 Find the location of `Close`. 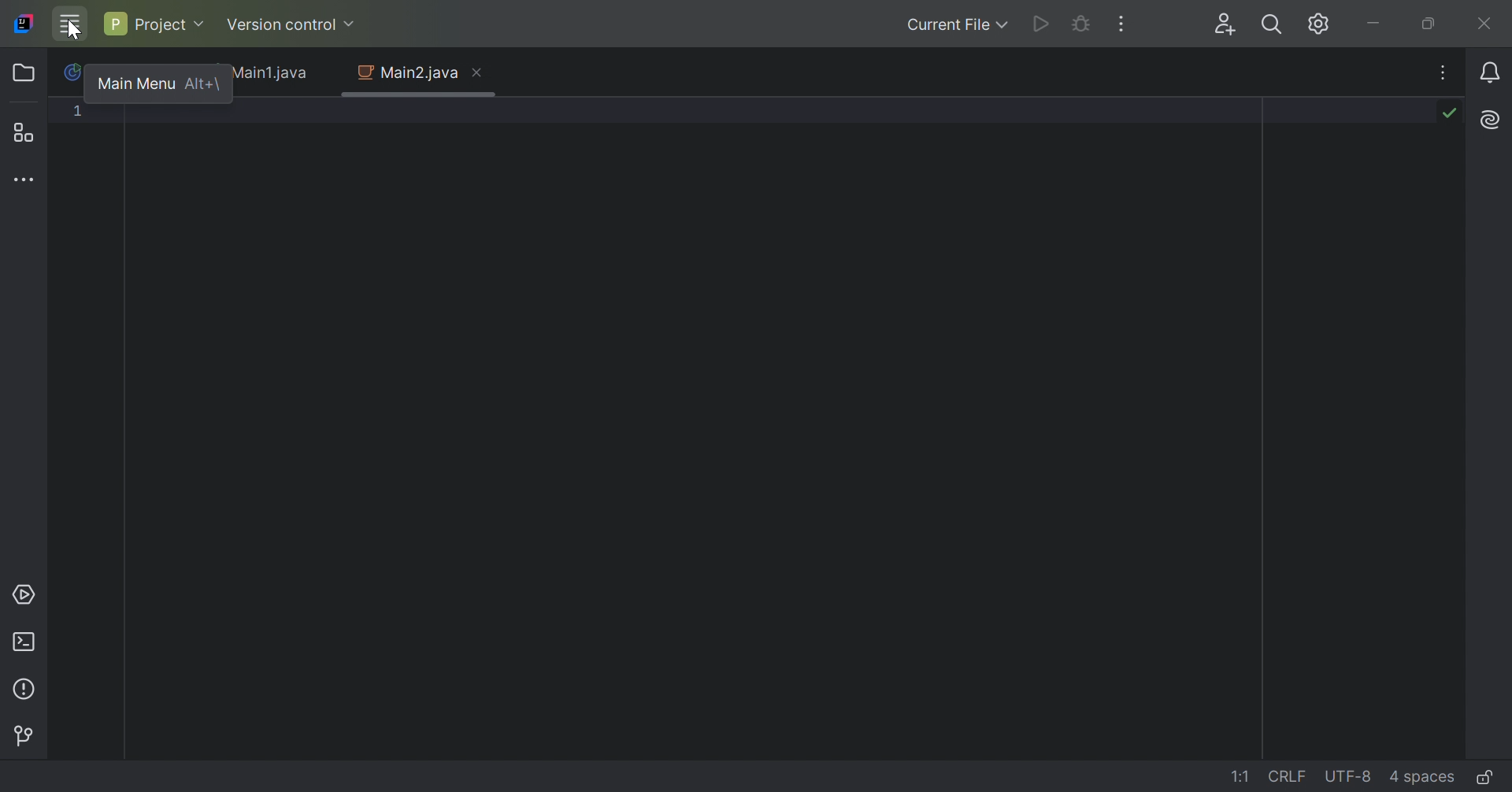

Close is located at coordinates (1486, 24).